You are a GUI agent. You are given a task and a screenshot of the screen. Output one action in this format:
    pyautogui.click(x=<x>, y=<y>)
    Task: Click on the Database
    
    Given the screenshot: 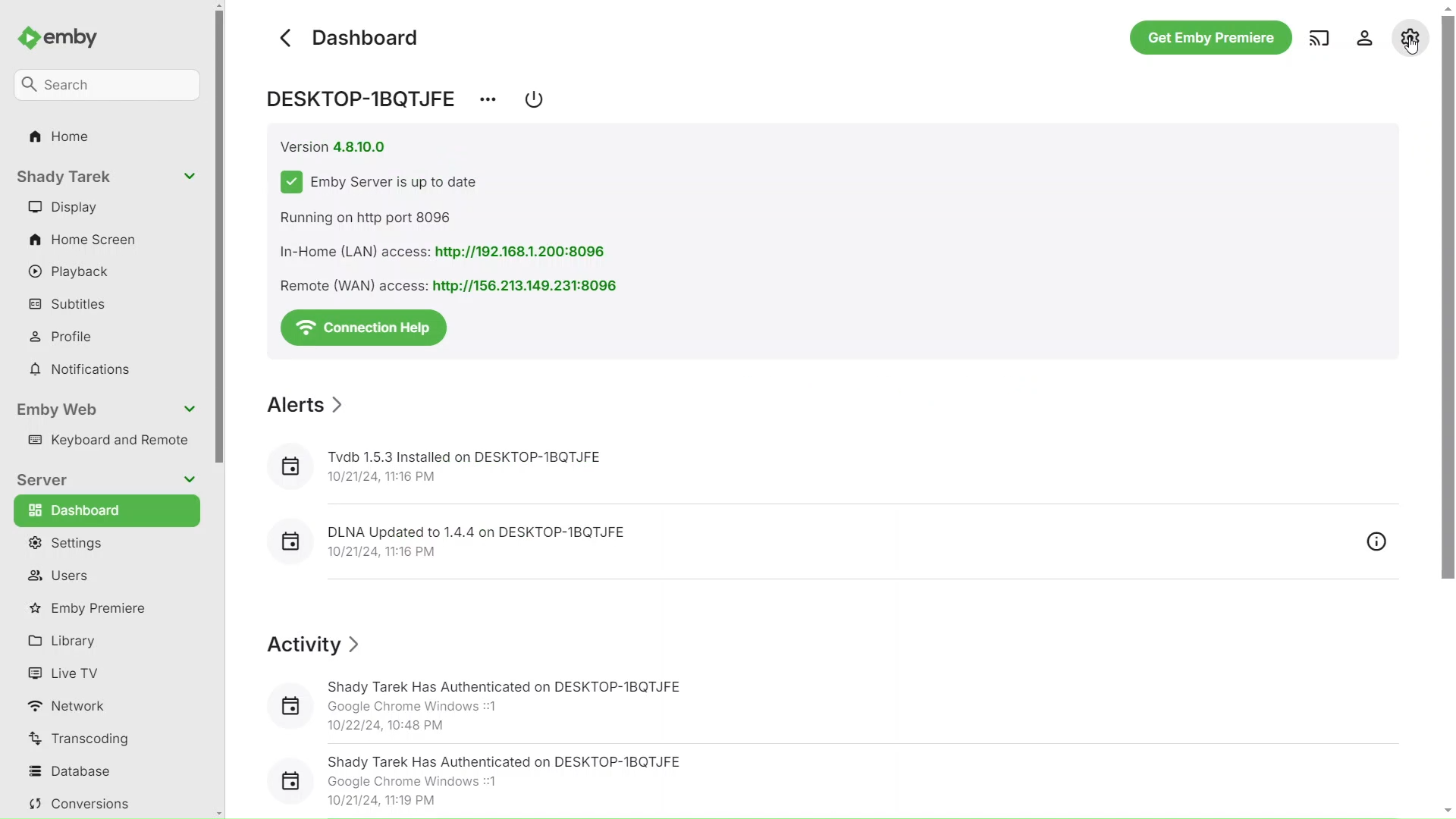 What is the action you would take?
    pyautogui.click(x=70, y=771)
    